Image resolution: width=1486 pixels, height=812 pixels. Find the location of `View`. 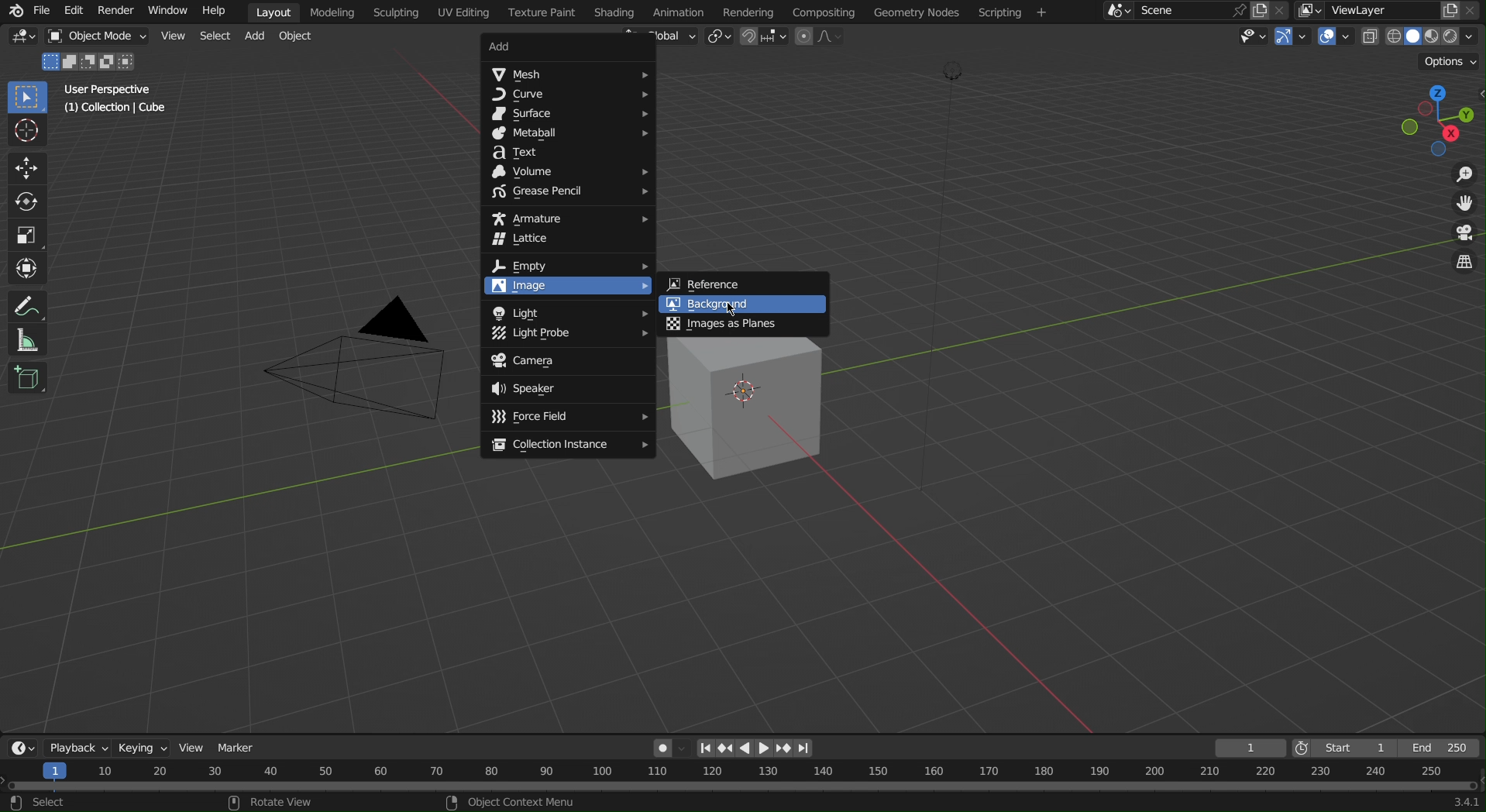

View is located at coordinates (170, 38).